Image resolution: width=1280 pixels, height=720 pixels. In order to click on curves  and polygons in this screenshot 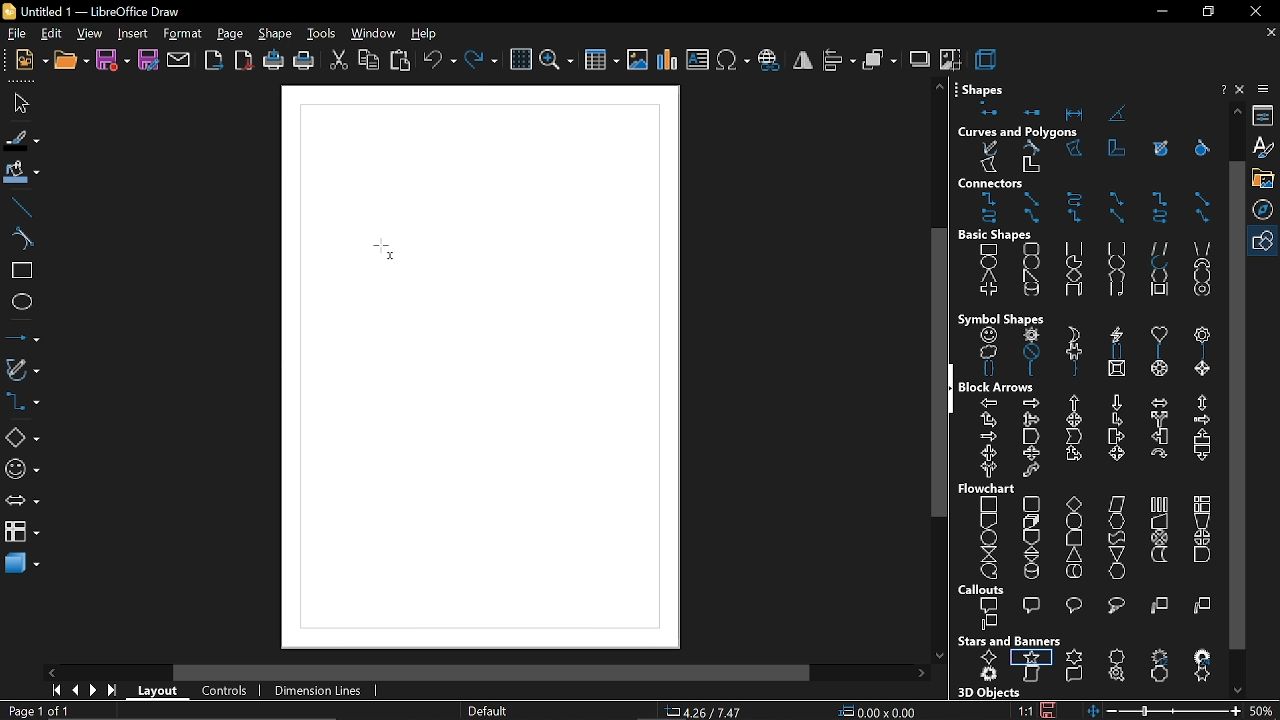, I will do `click(1023, 130)`.